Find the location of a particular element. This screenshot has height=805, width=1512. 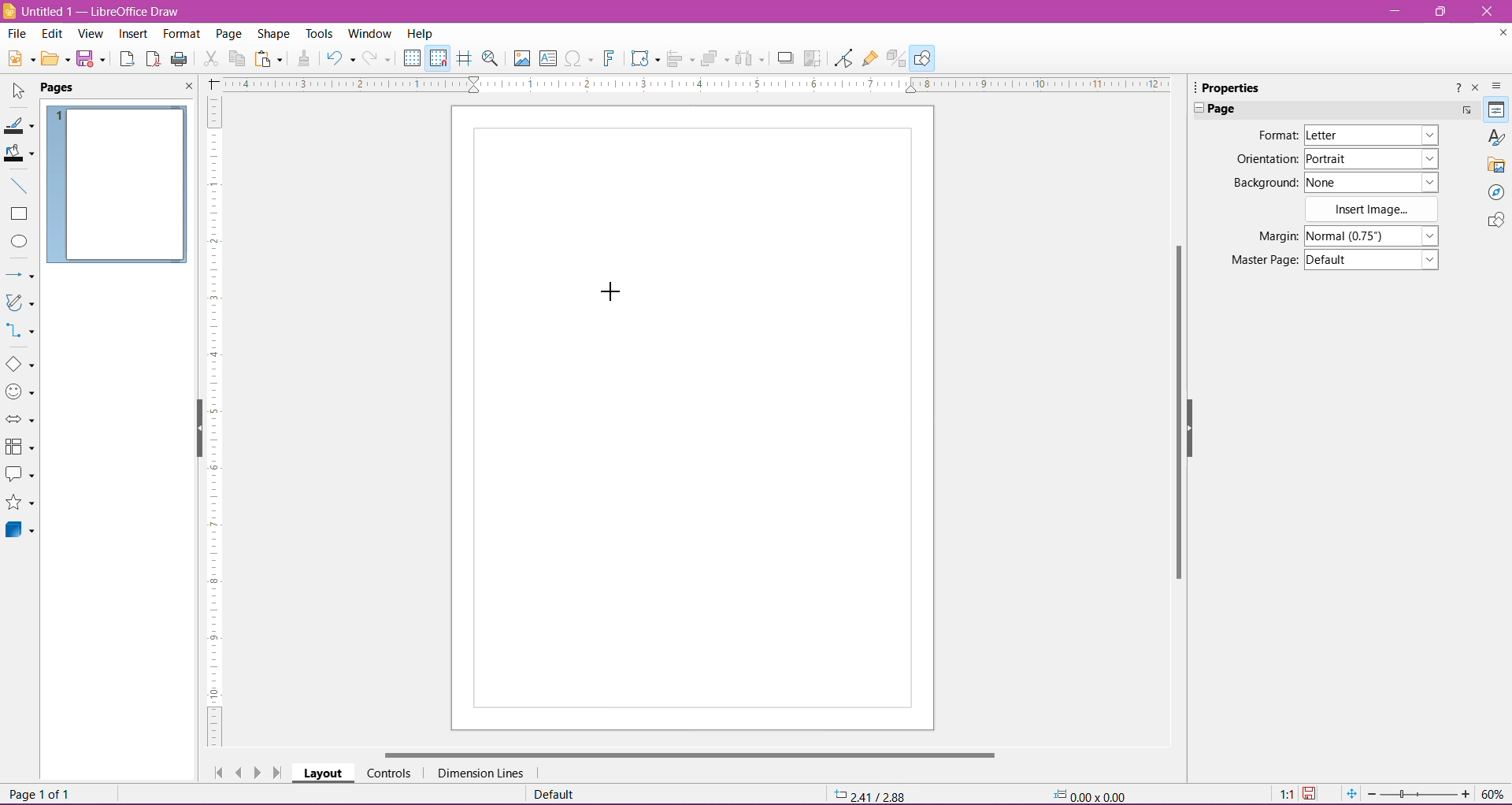

Minimize is located at coordinates (1393, 9).